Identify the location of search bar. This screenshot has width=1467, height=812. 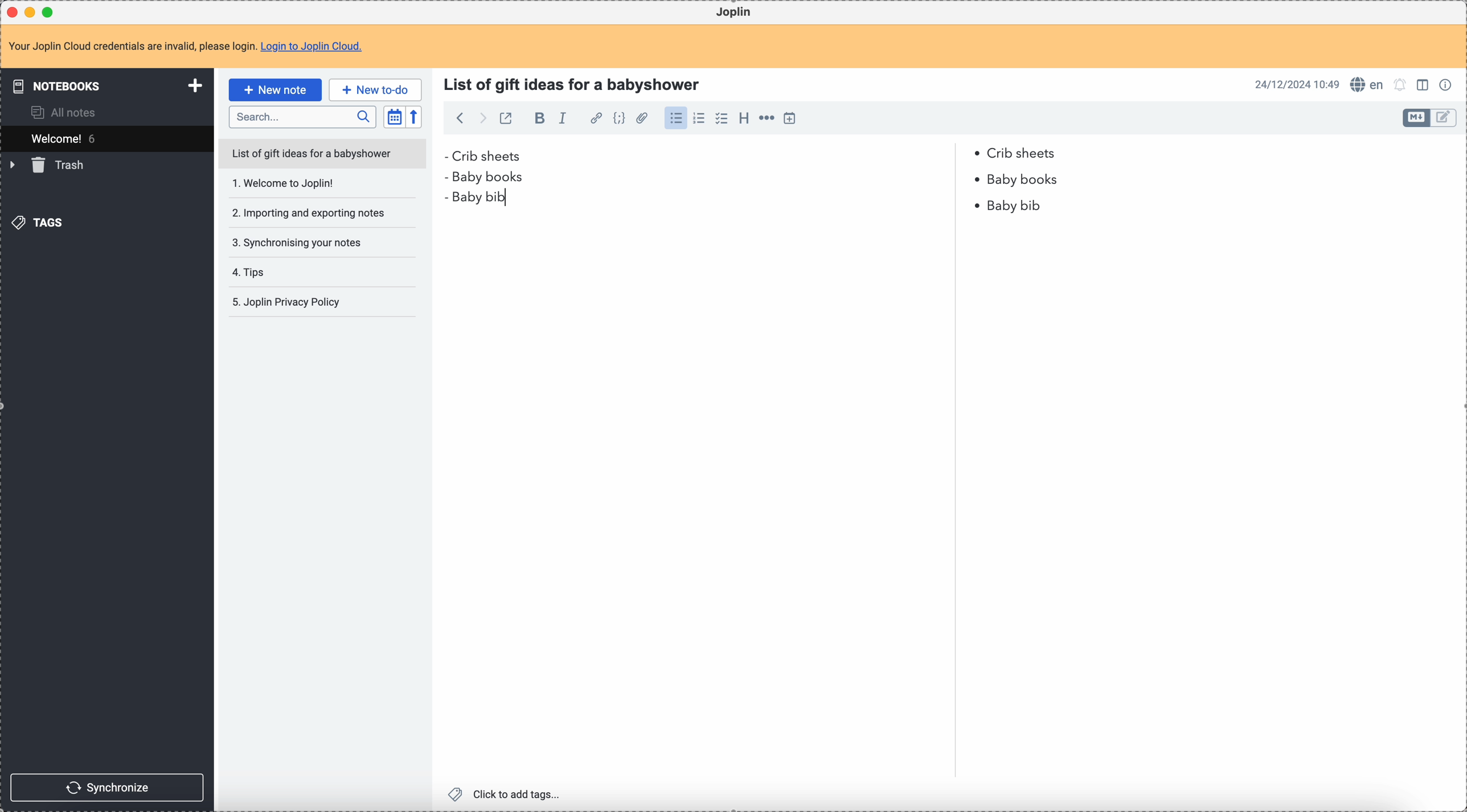
(302, 117).